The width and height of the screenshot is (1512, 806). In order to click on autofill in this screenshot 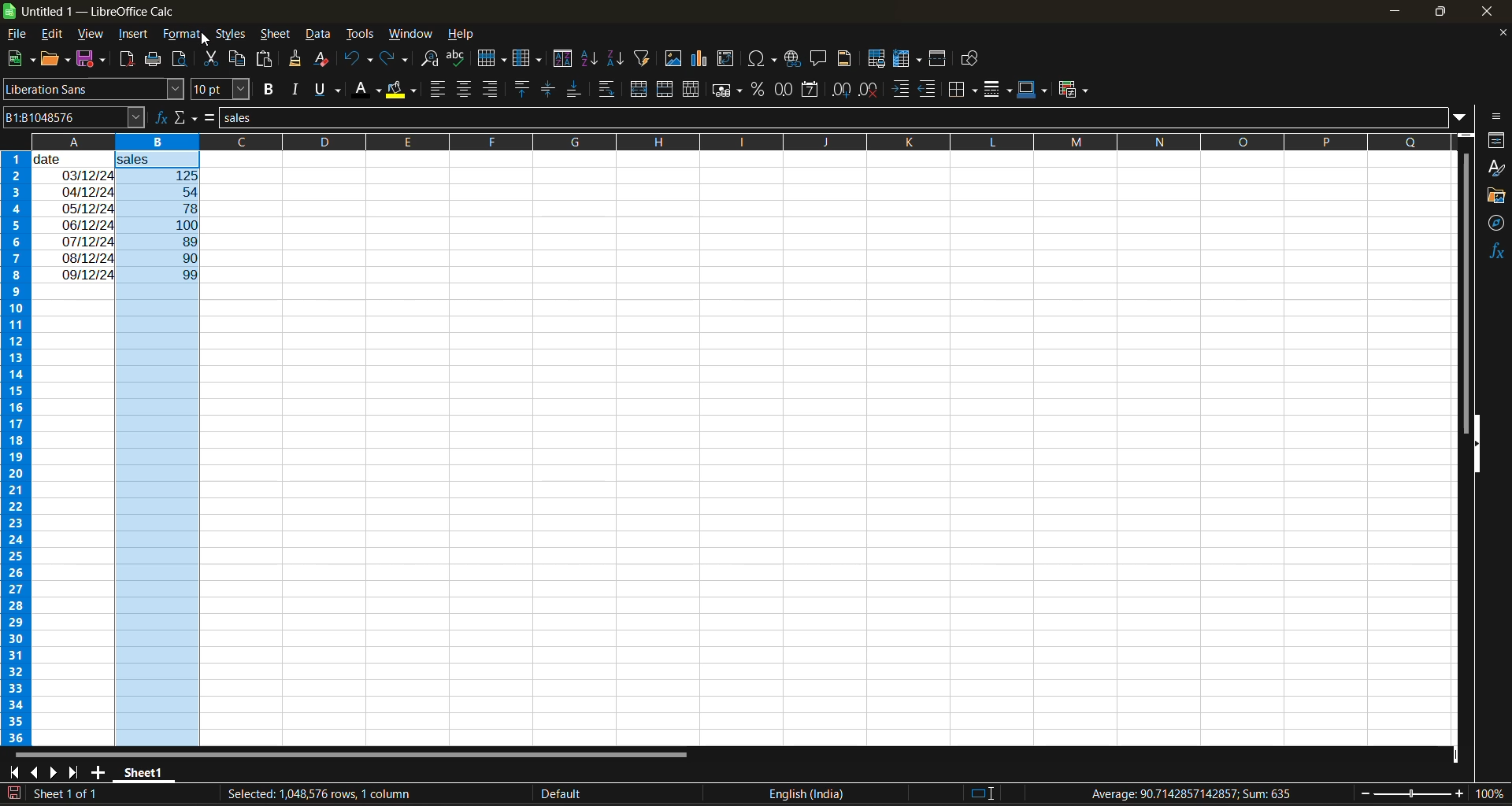, I will do `click(647, 58)`.